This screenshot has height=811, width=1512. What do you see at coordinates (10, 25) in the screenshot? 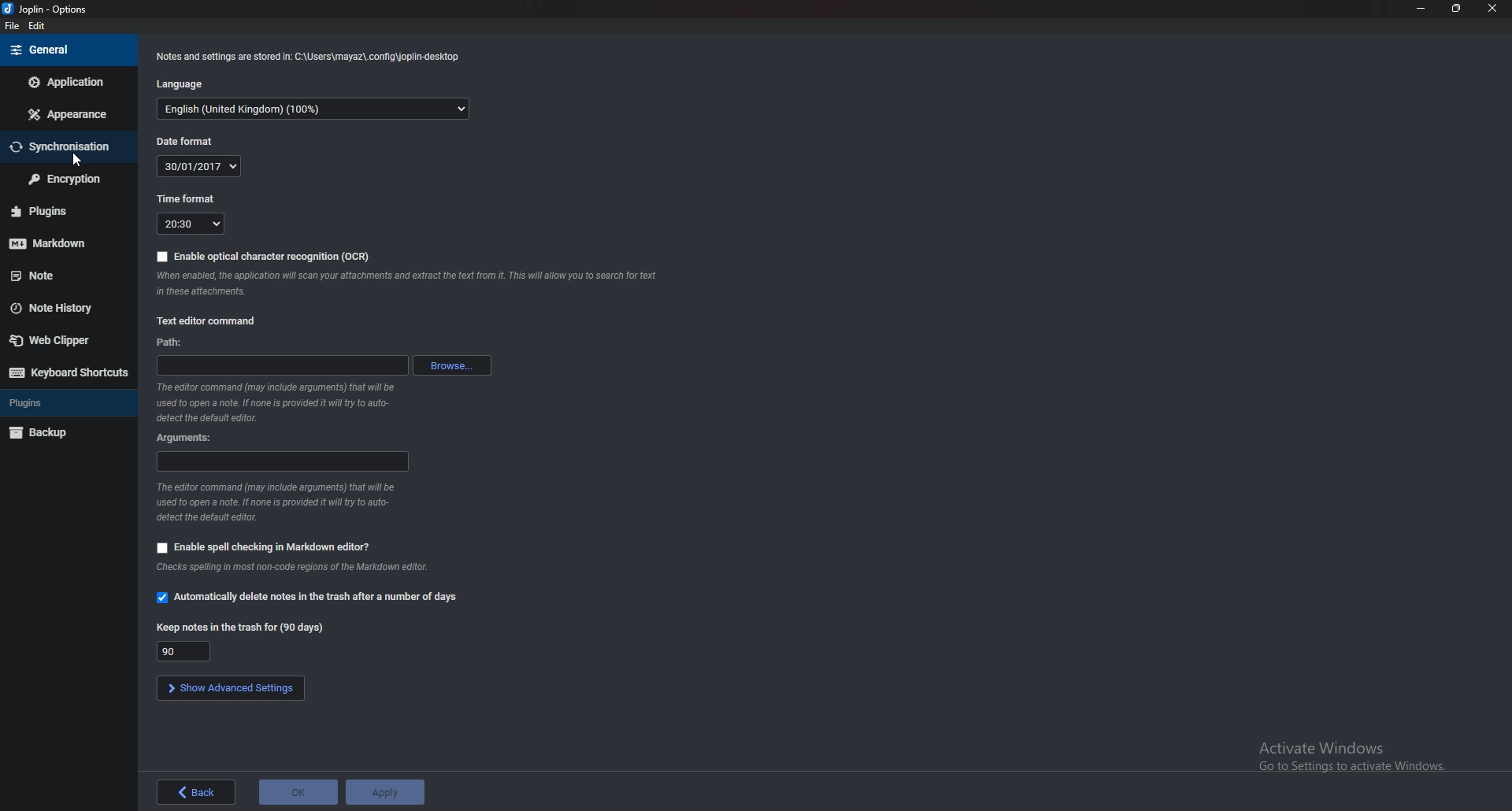
I see `file` at bounding box center [10, 25].